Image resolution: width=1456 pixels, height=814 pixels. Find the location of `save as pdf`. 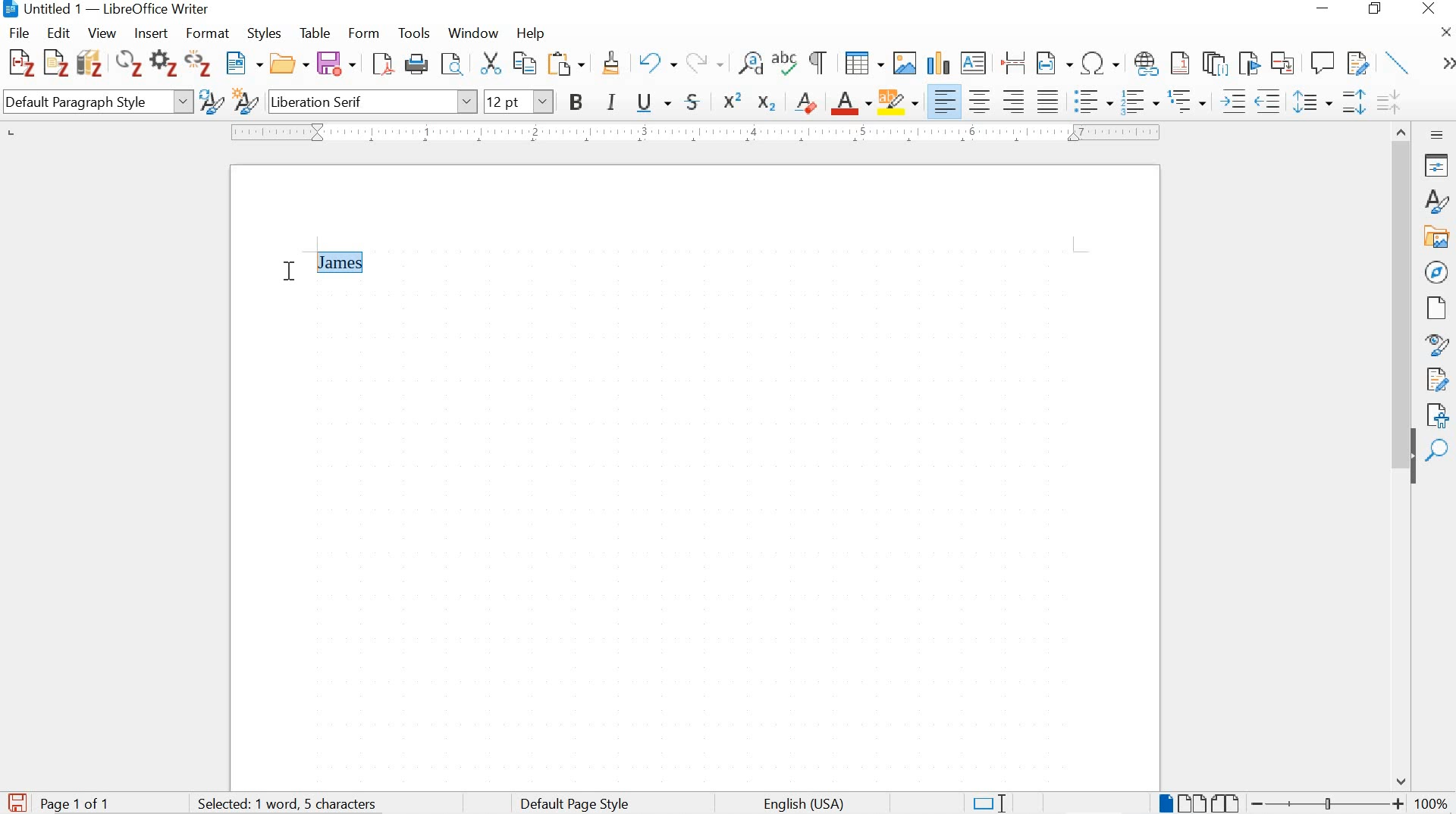

save as pdf is located at coordinates (382, 65).